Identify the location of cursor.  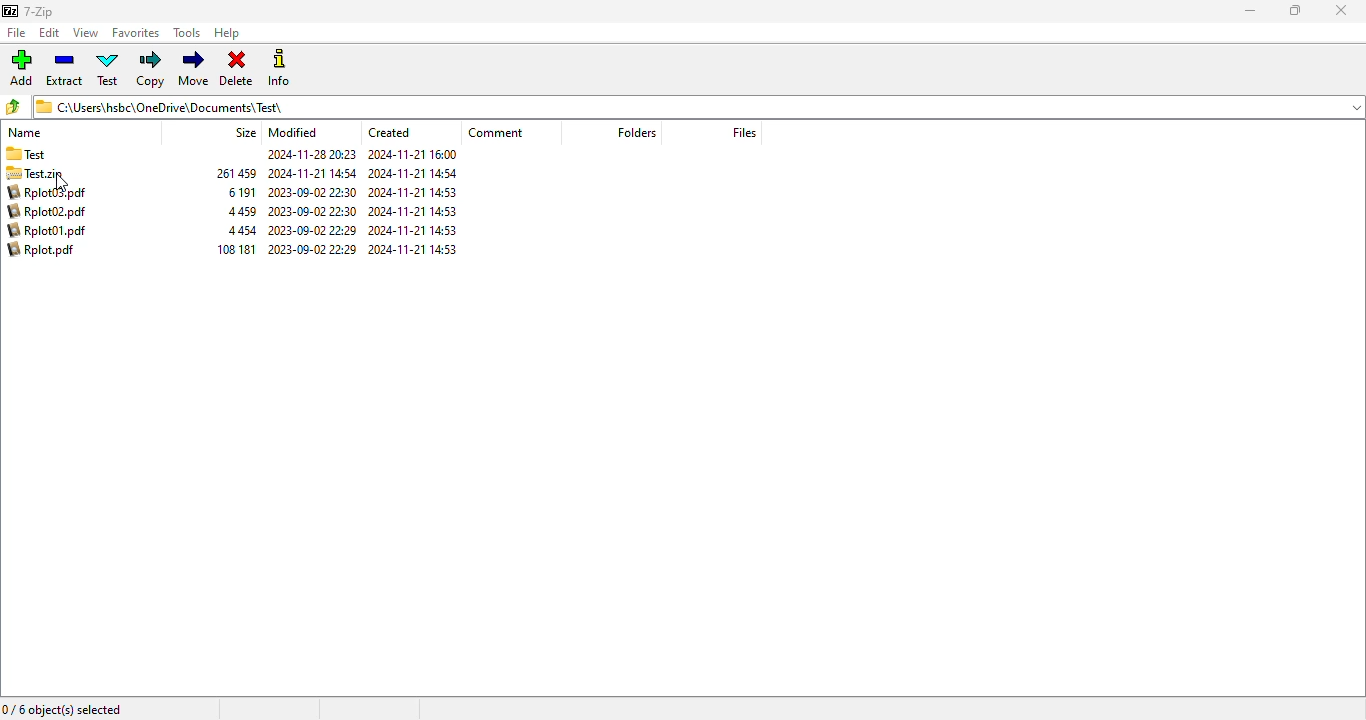
(62, 183).